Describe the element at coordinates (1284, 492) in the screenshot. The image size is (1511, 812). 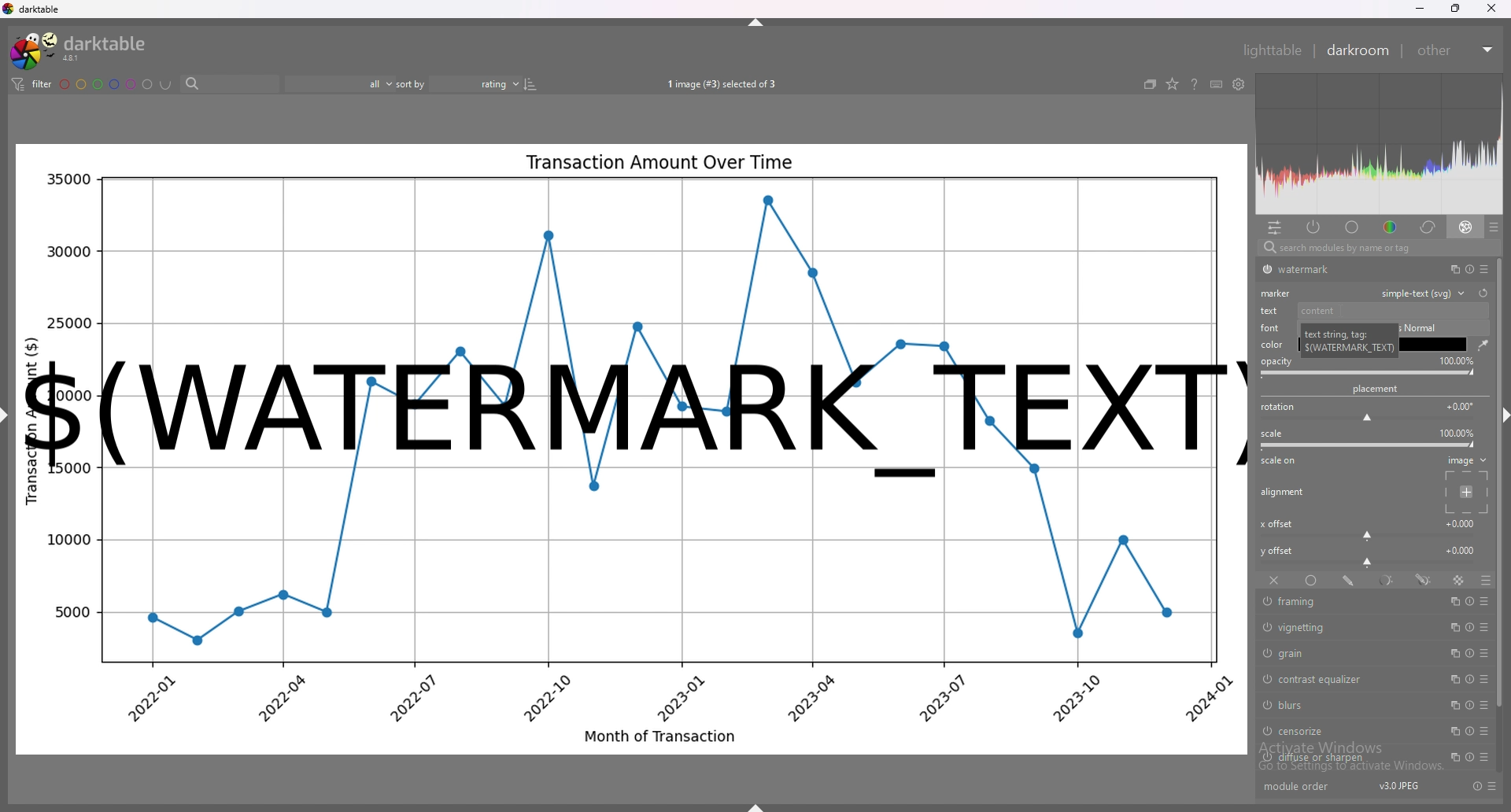
I see `alignment` at that location.